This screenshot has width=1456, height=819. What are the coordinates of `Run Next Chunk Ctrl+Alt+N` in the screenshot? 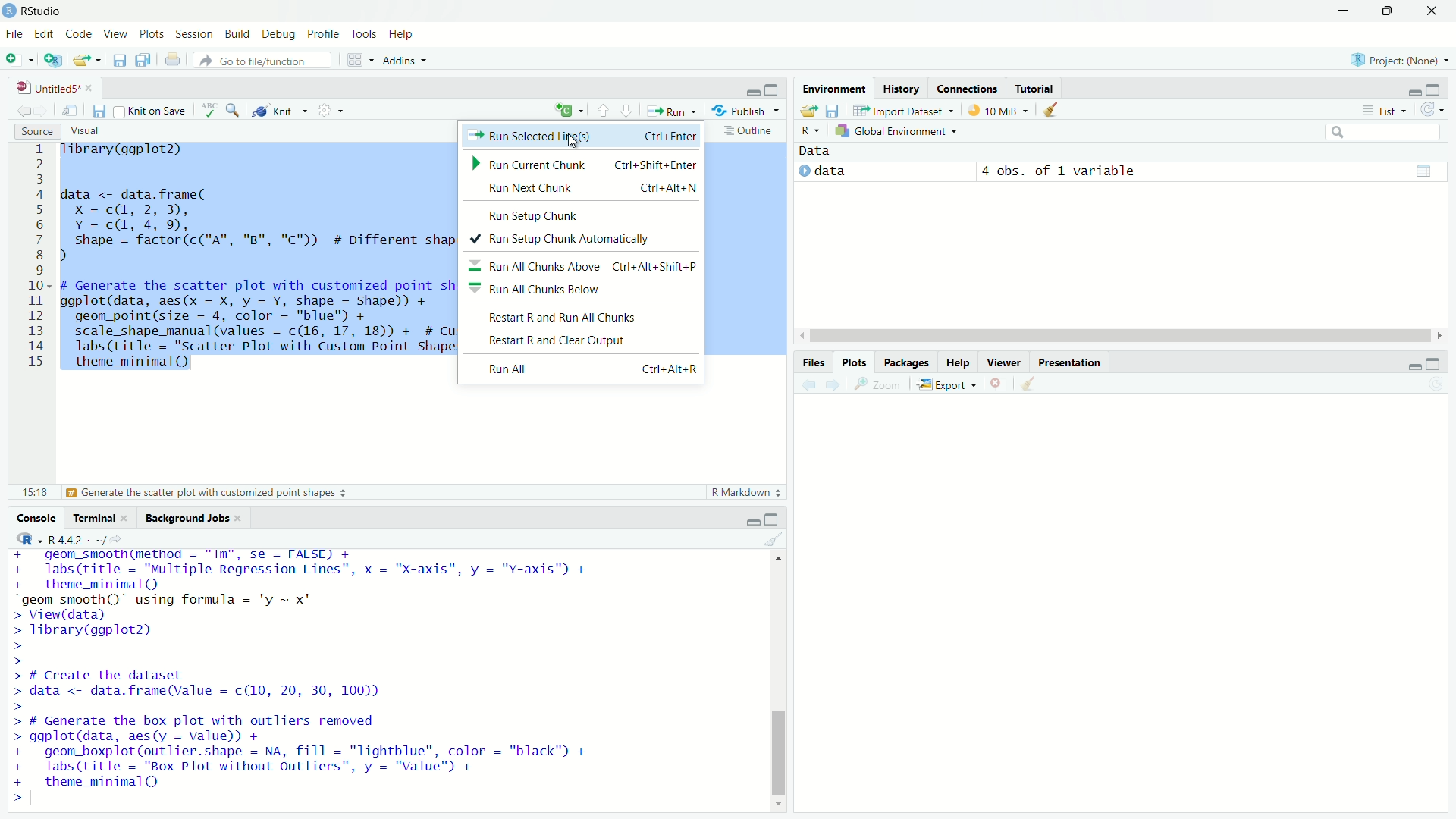 It's located at (588, 188).